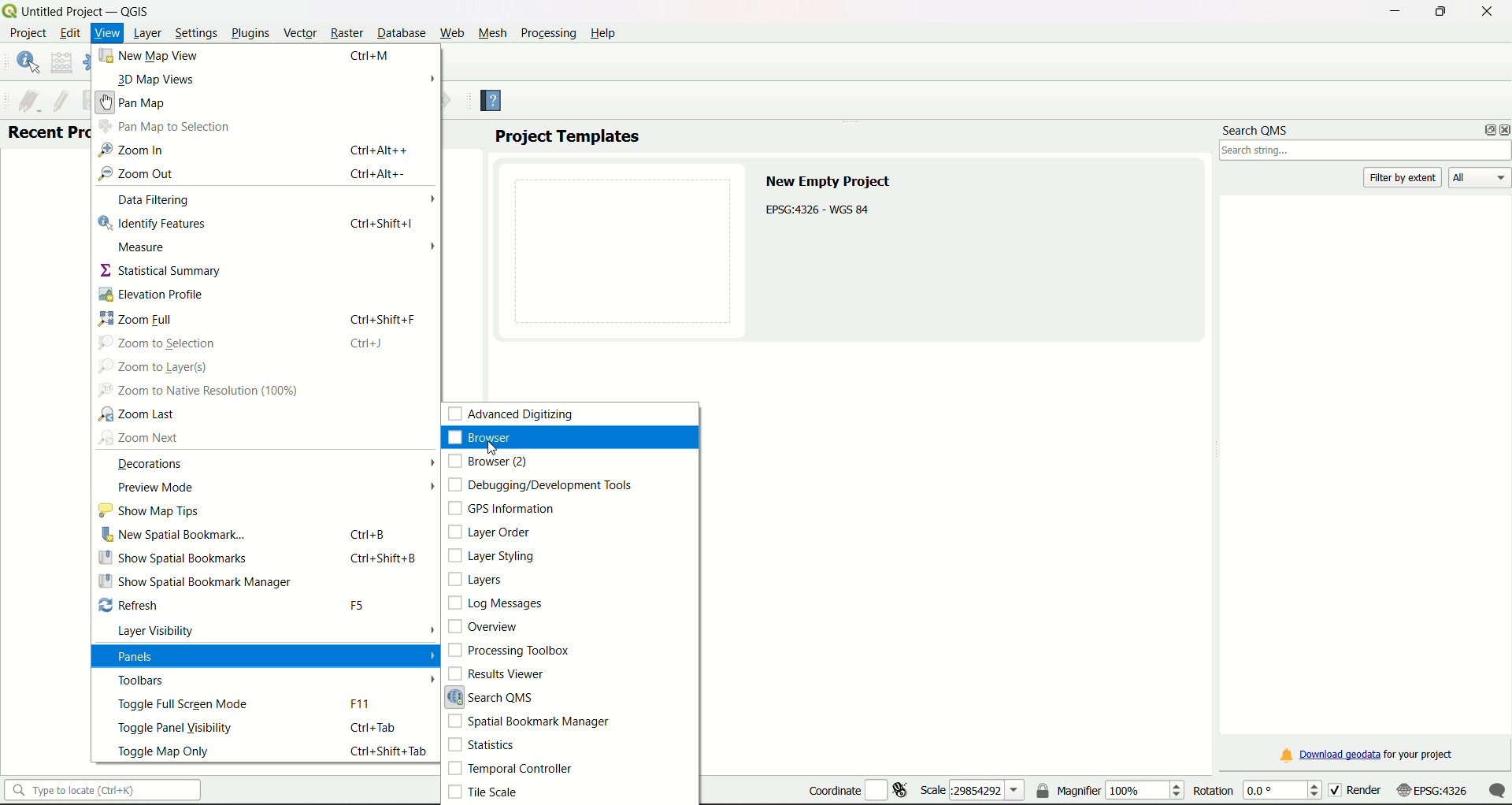 This screenshot has width=1512, height=805. What do you see at coordinates (509, 413) in the screenshot?
I see `advanced digitizing` at bounding box center [509, 413].